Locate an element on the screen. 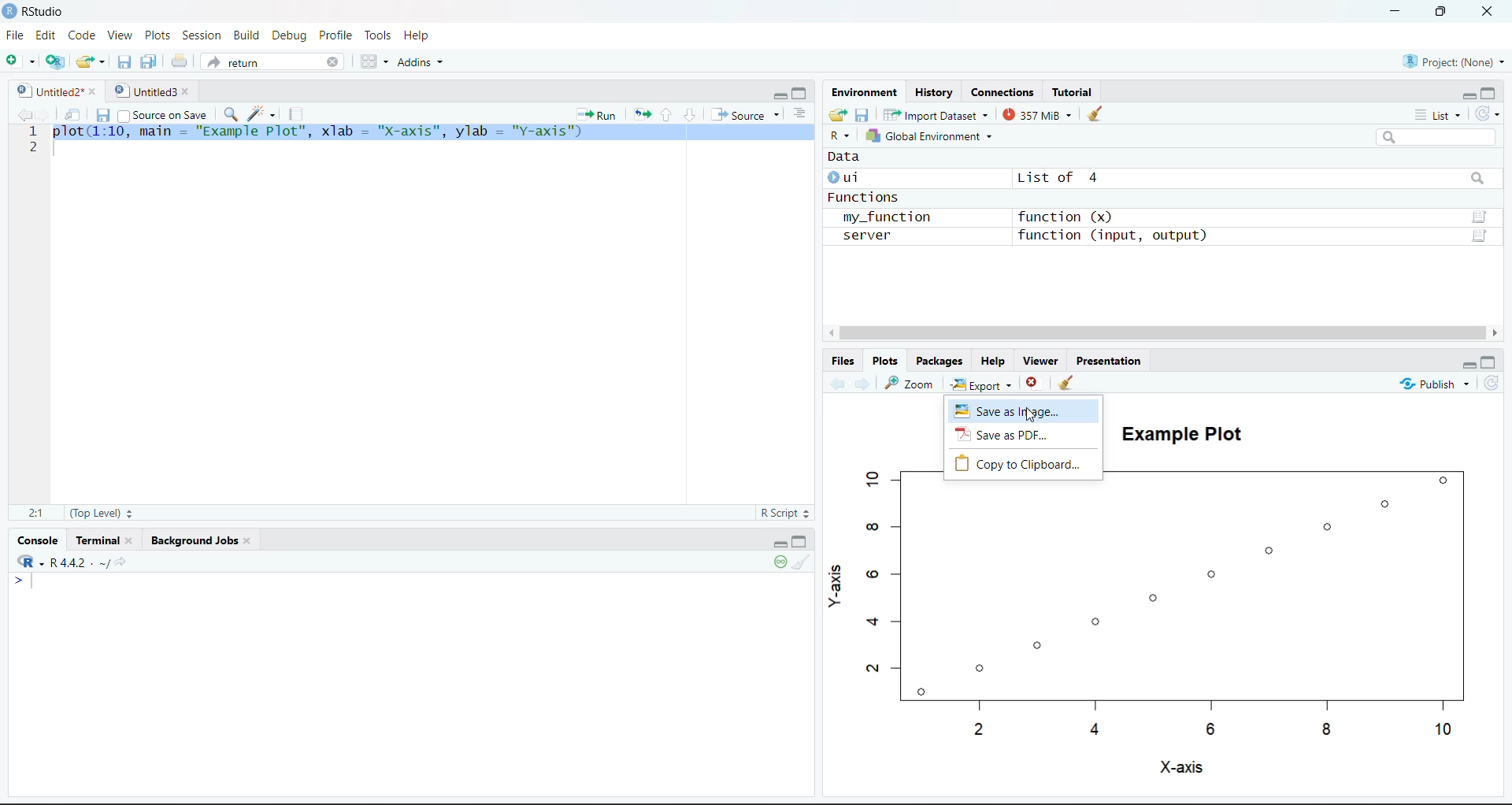 This screenshot has width=1512, height=805. List is located at coordinates (1439, 114).